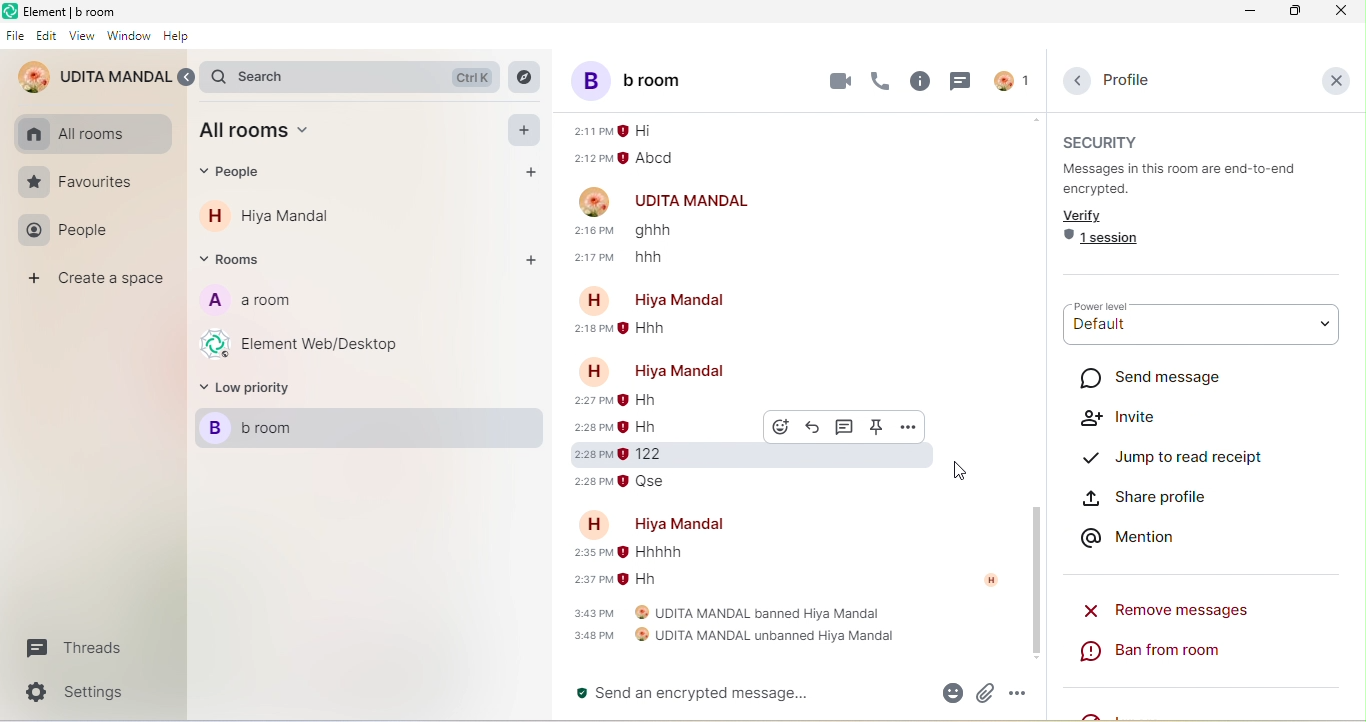  What do you see at coordinates (1336, 79) in the screenshot?
I see `close` at bounding box center [1336, 79].